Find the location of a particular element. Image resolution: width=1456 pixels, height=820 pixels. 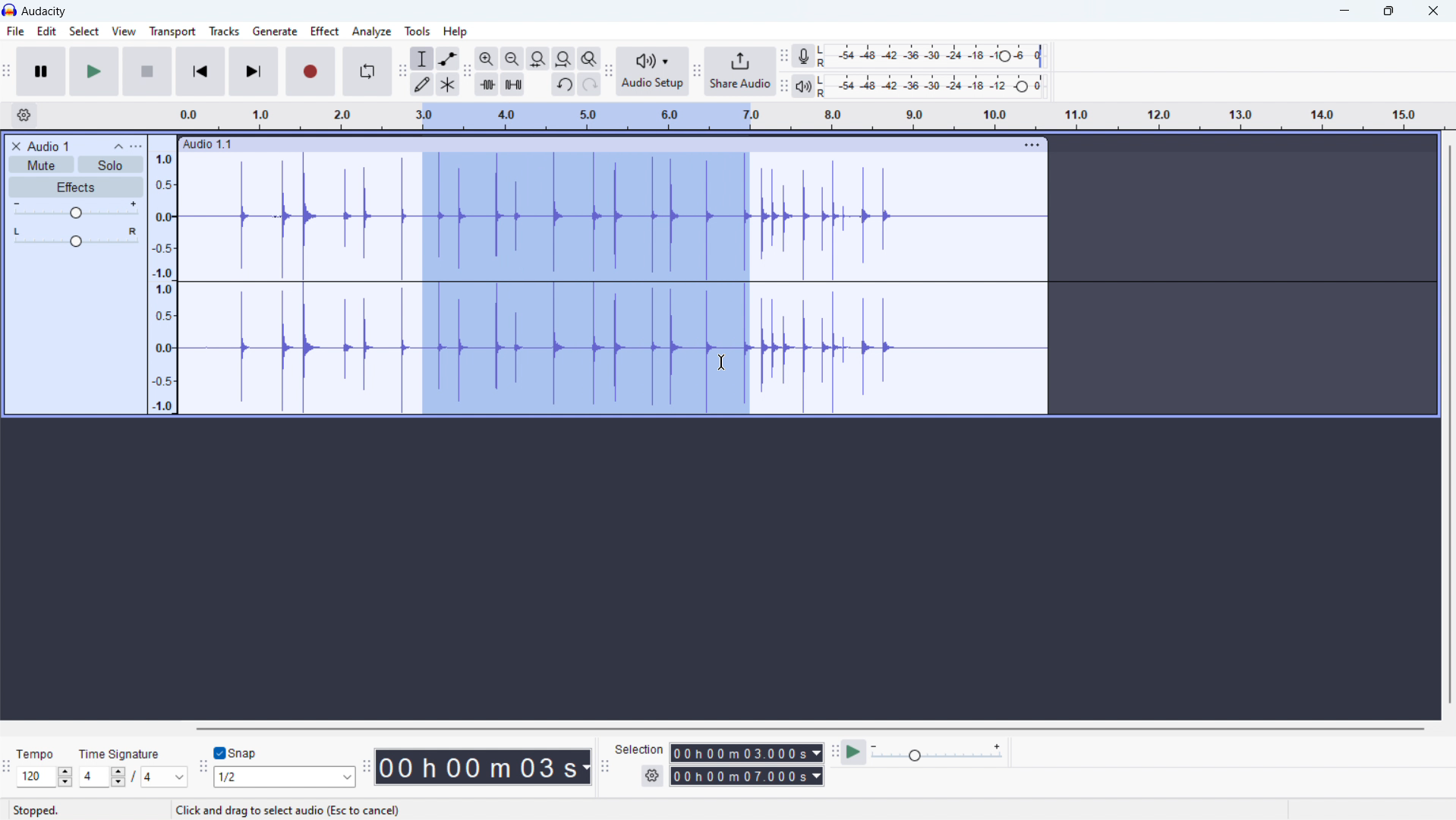

vertical scrollbar is located at coordinates (1450, 424).